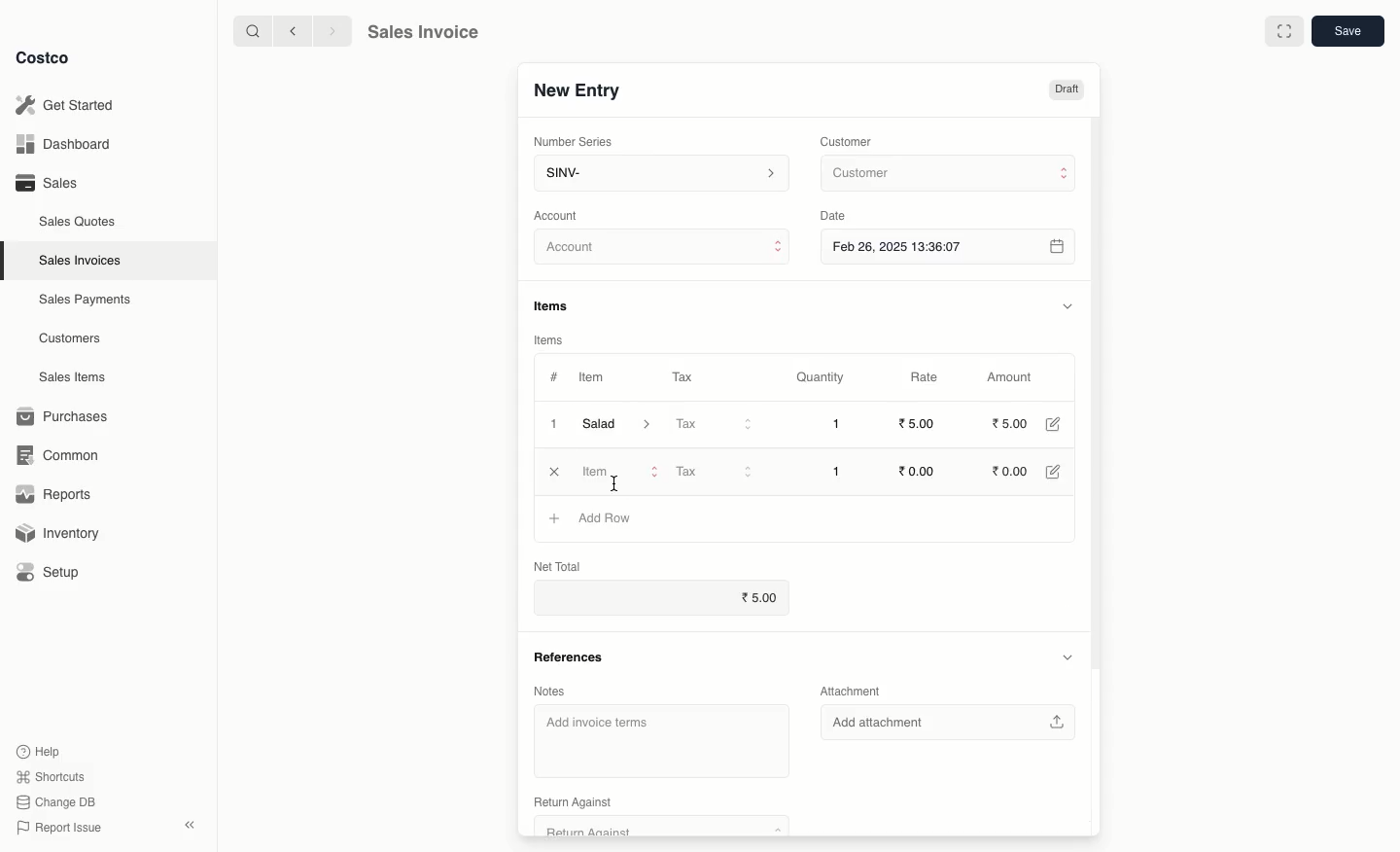 This screenshot has height=852, width=1400. Describe the element at coordinates (50, 777) in the screenshot. I see `Shortcuts` at that location.